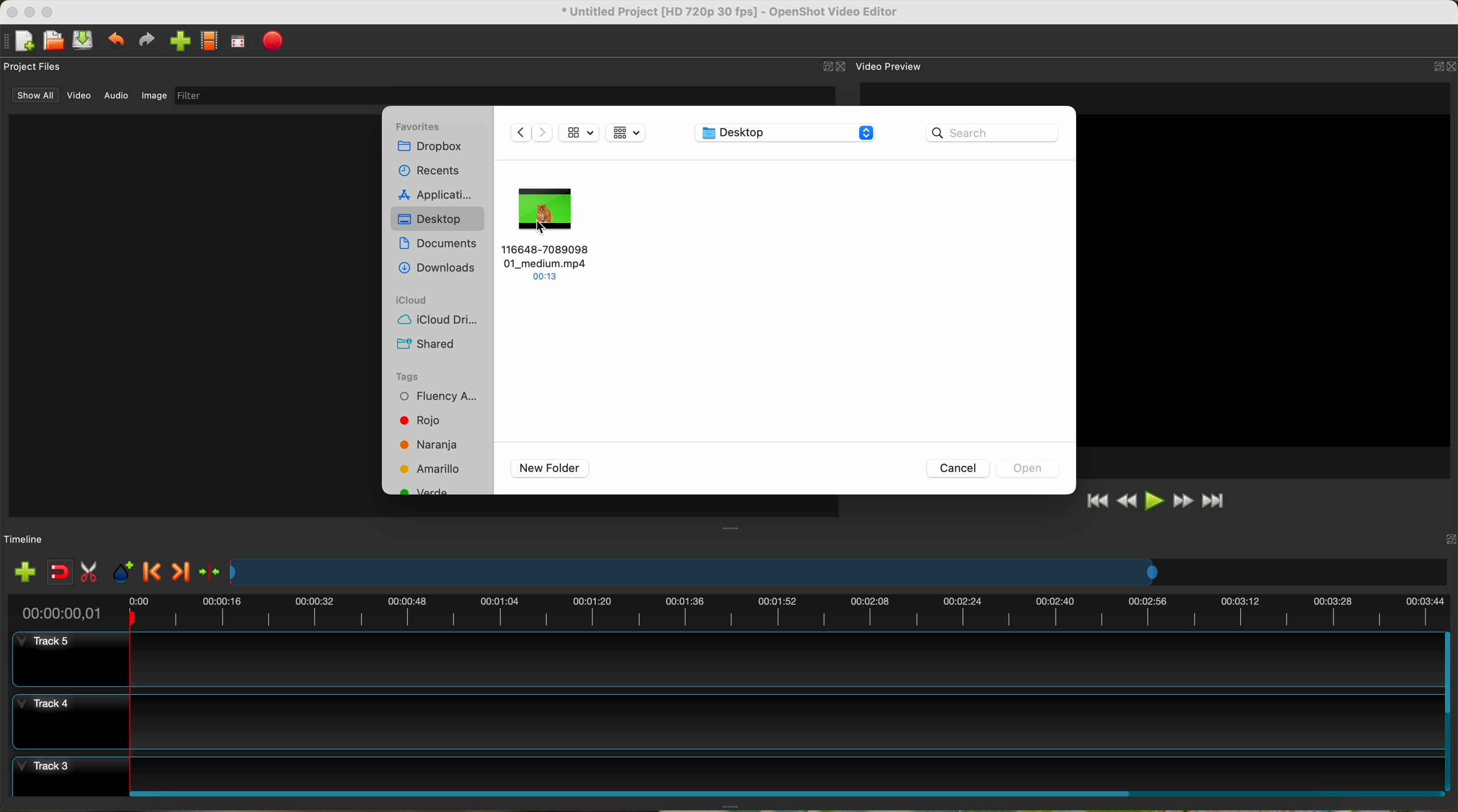 This screenshot has height=812, width=1458. Describe the element at coordinates (439, 221) in the screenshot. I see `click on desktop` at that location.